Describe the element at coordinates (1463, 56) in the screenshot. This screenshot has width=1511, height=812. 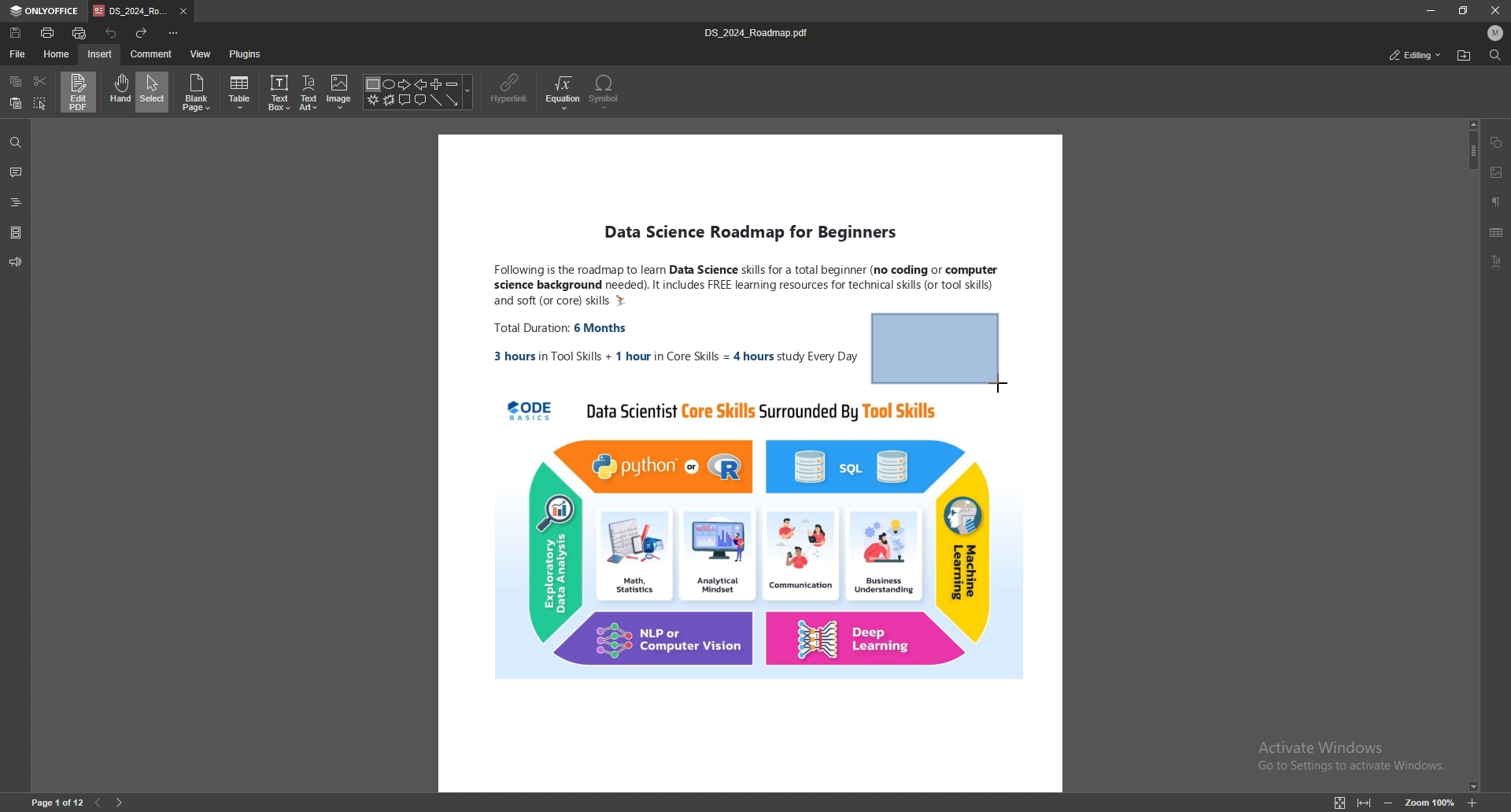
I see `open file location` at that location.